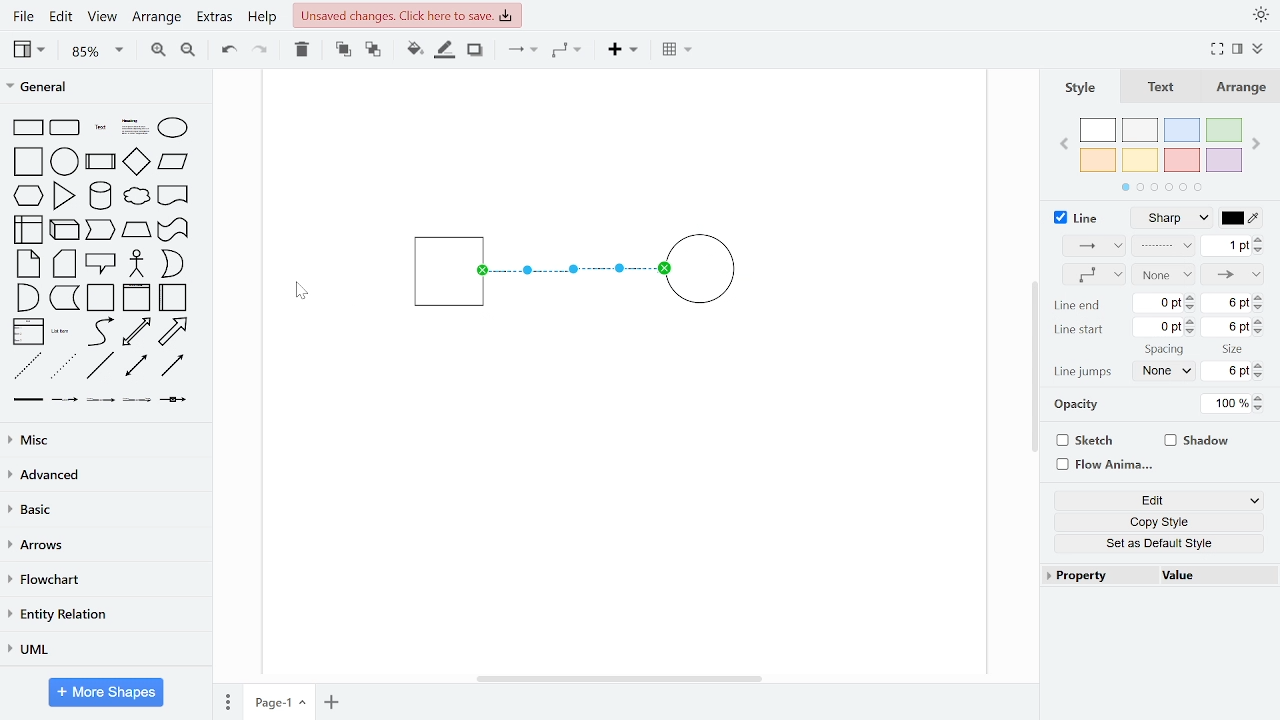  Describe the element at coordinates (66, 264) in the screenshot. I see `card` at that location.